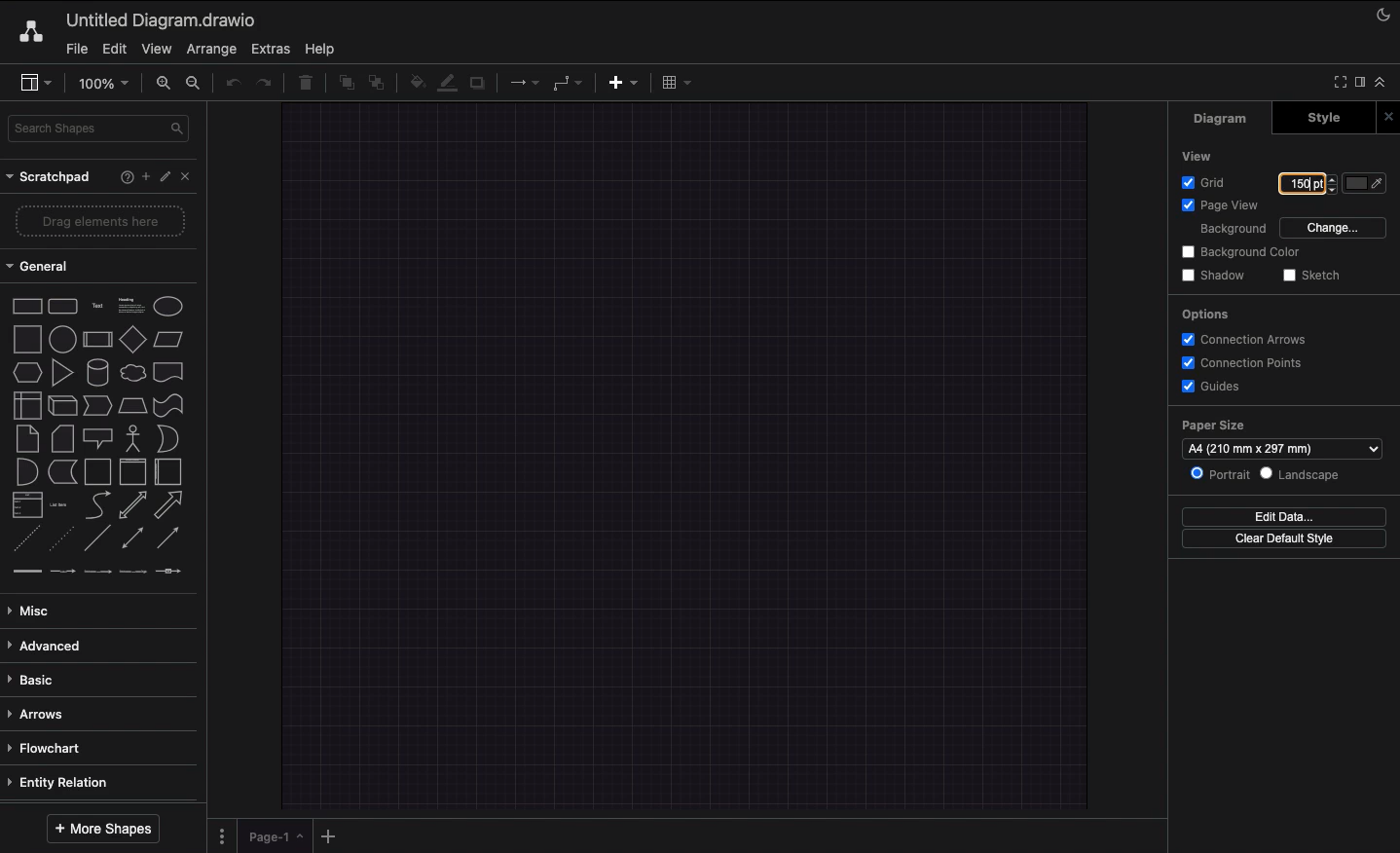  Describe the element at coordinates (231, 85) in the screenshot. I see `Undo` at that location.